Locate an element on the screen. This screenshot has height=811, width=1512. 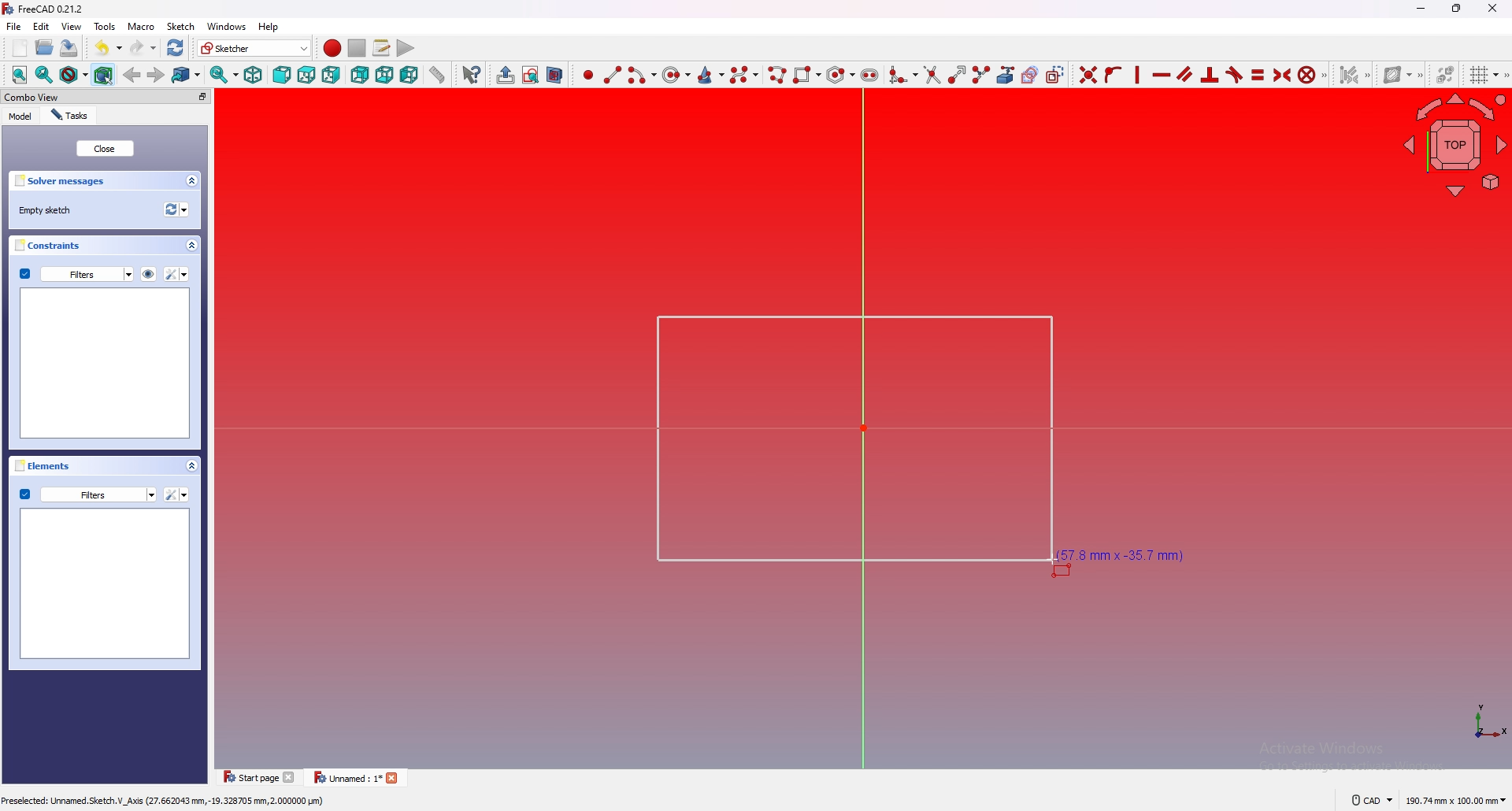
solver messages is located at coordinates (61, 181).